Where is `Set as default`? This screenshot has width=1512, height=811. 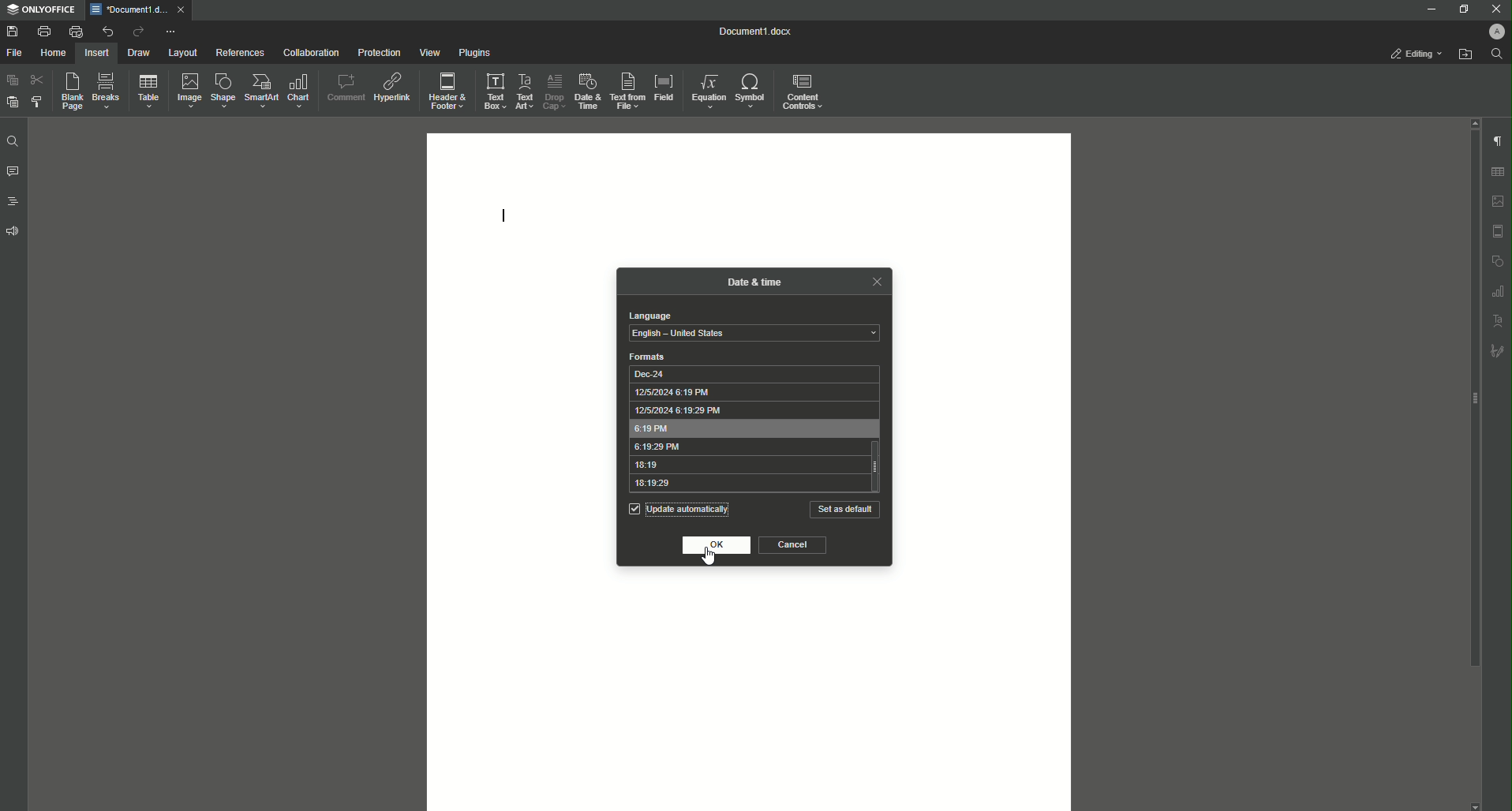
Set as default is located at coordinates (845, 510).